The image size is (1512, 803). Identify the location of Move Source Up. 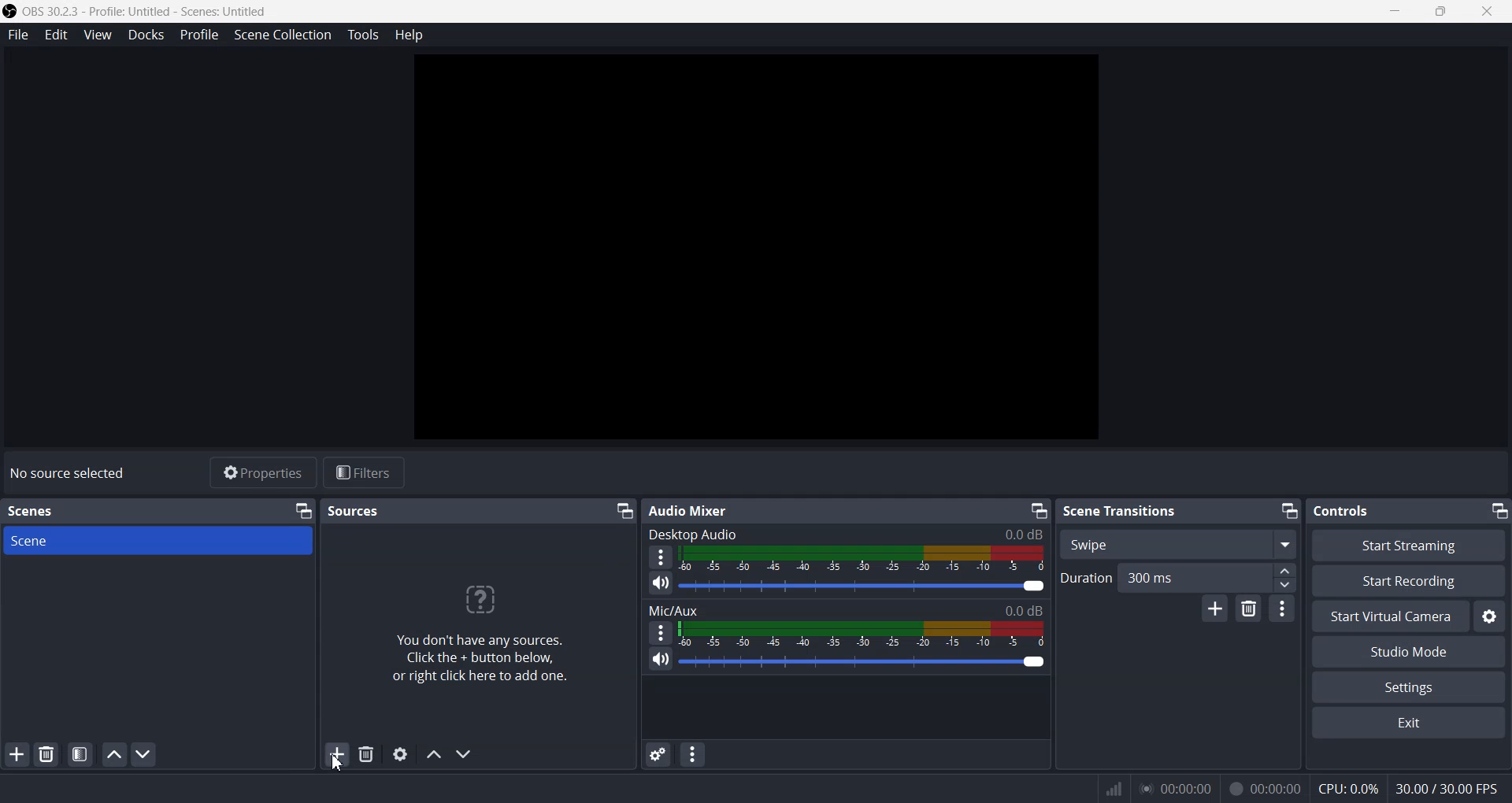
(435, 756).